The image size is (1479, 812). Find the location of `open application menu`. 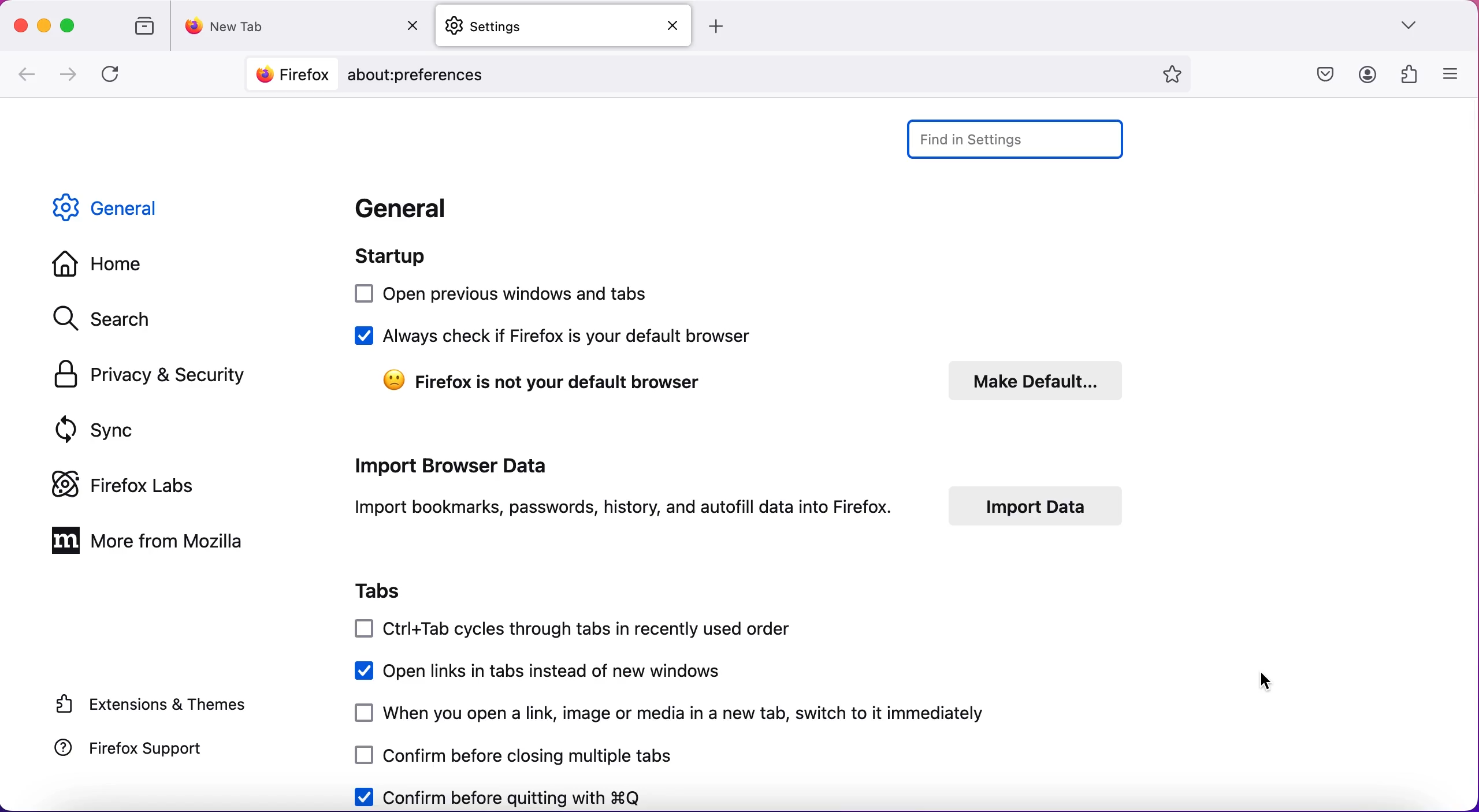

open application menu is located at coordinates (1450, 75).